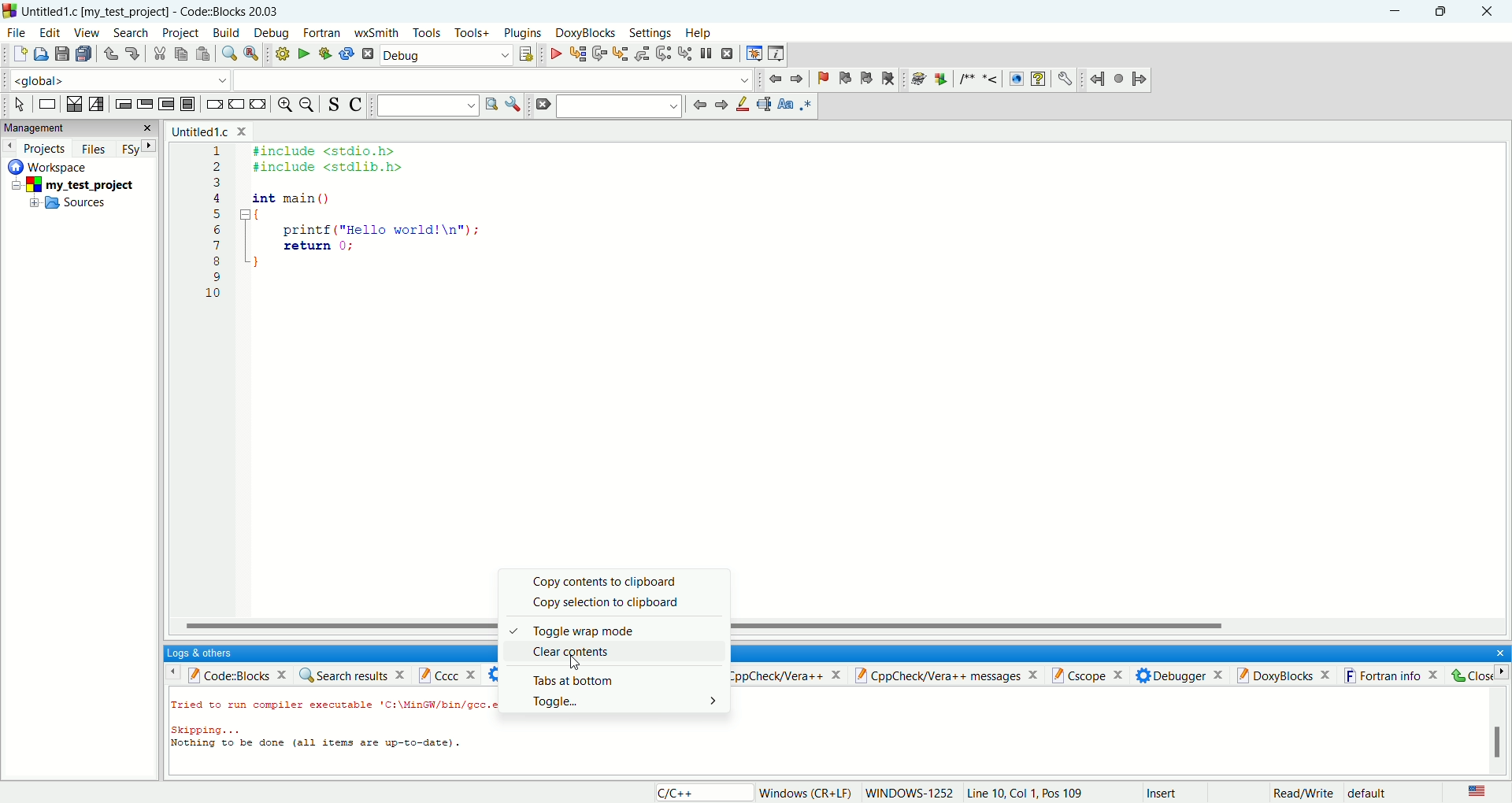 This screenshot has width=1512, height=803. I want to click on setting, so click(652, 34).